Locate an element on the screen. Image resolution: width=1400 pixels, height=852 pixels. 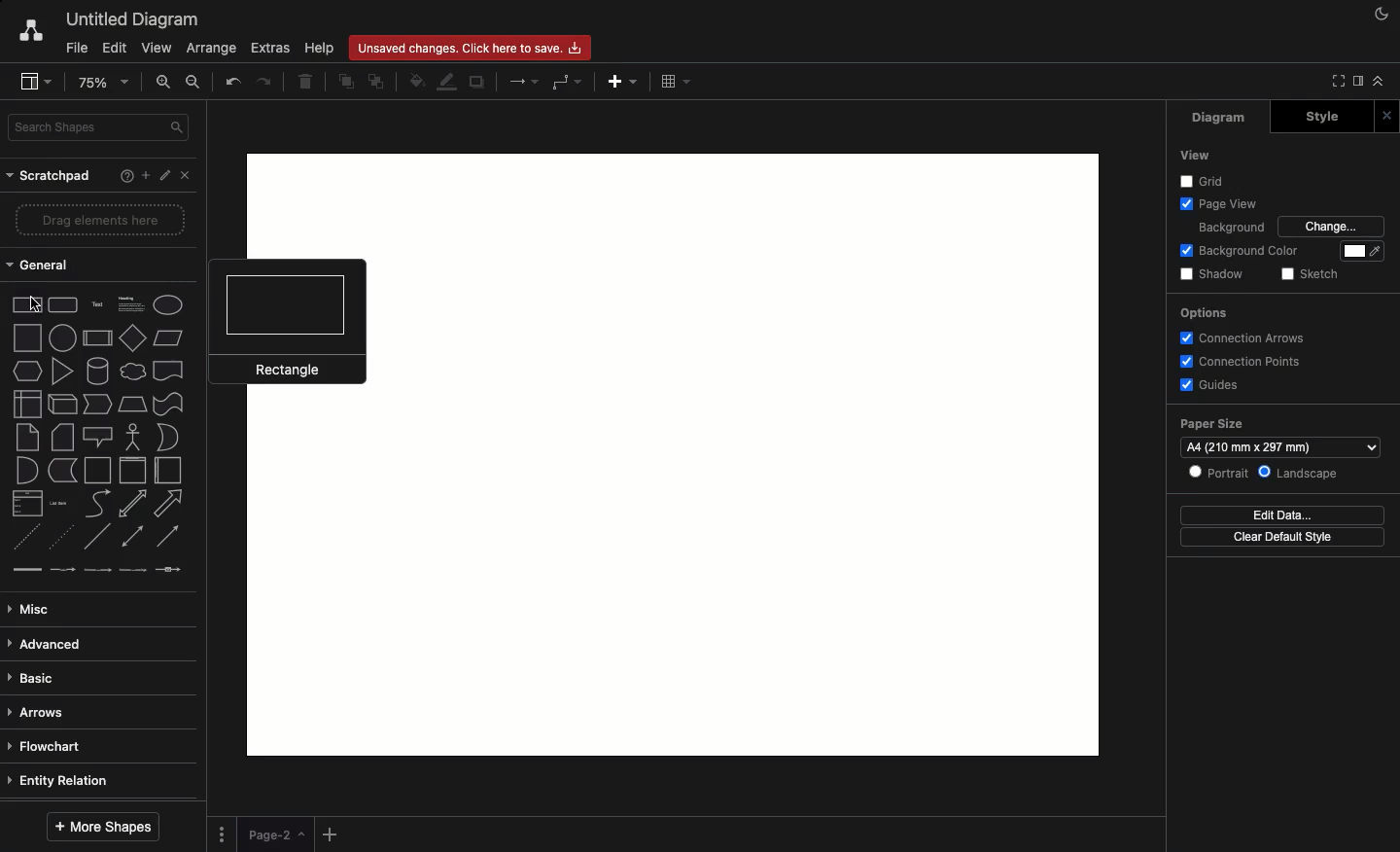
note is located at coordinates (28, 437).